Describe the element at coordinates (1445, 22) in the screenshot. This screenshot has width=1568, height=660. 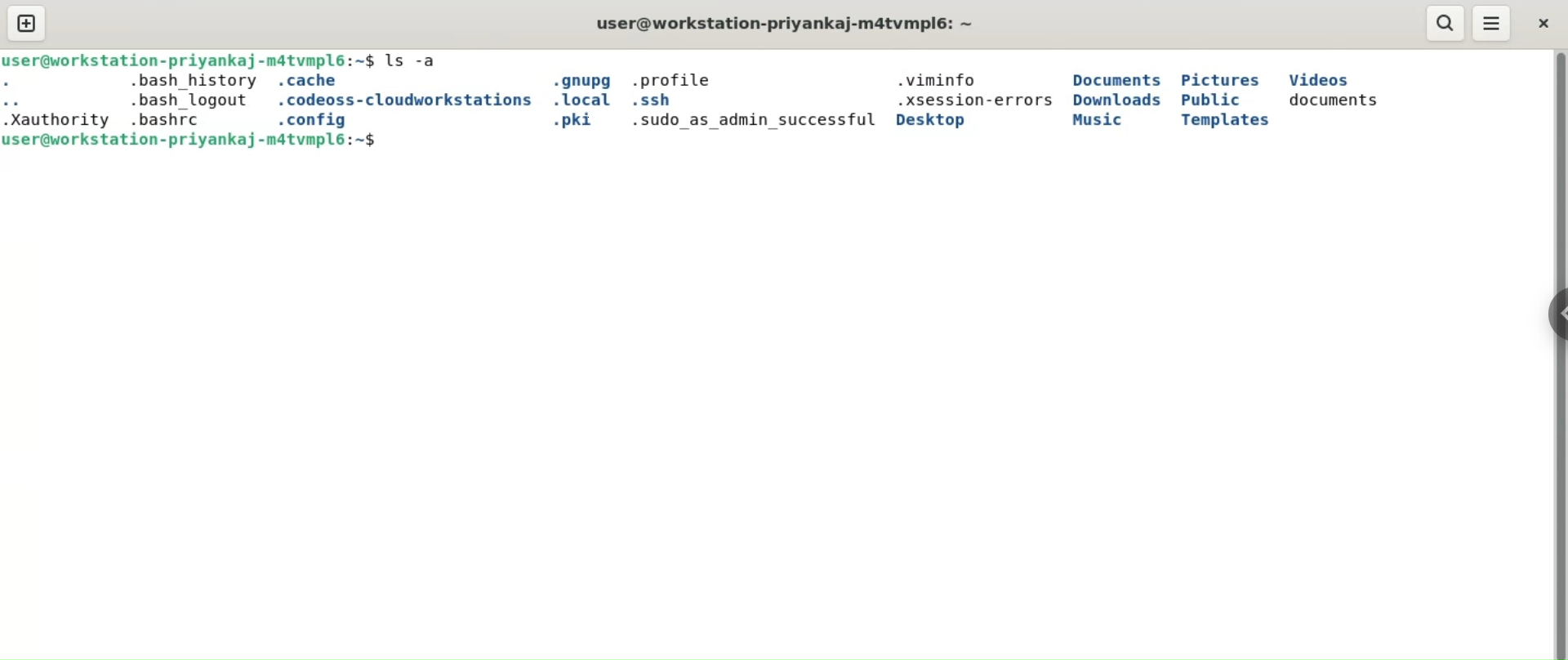
I see `search` at that location.